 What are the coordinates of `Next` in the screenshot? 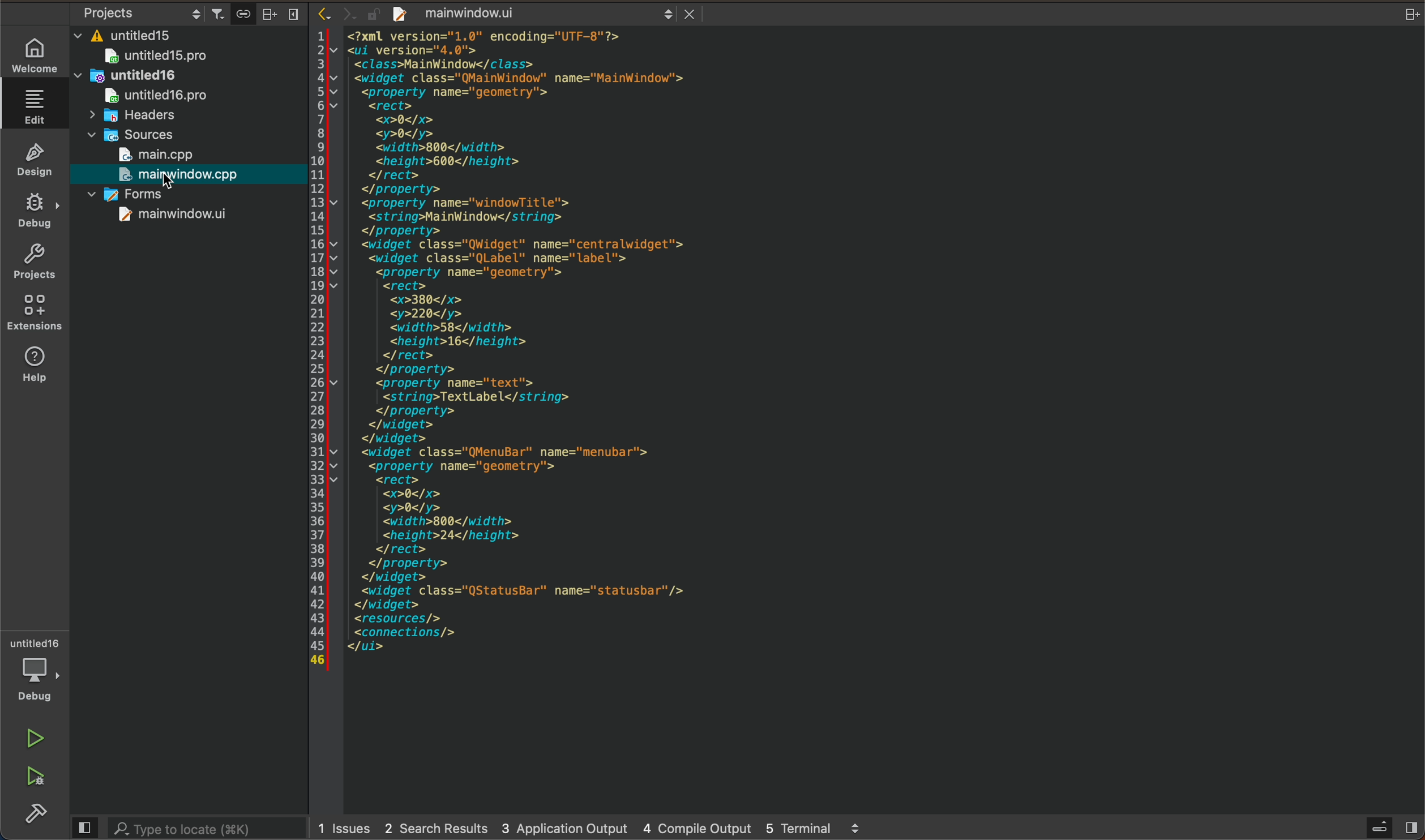 It's located at (348, 12).